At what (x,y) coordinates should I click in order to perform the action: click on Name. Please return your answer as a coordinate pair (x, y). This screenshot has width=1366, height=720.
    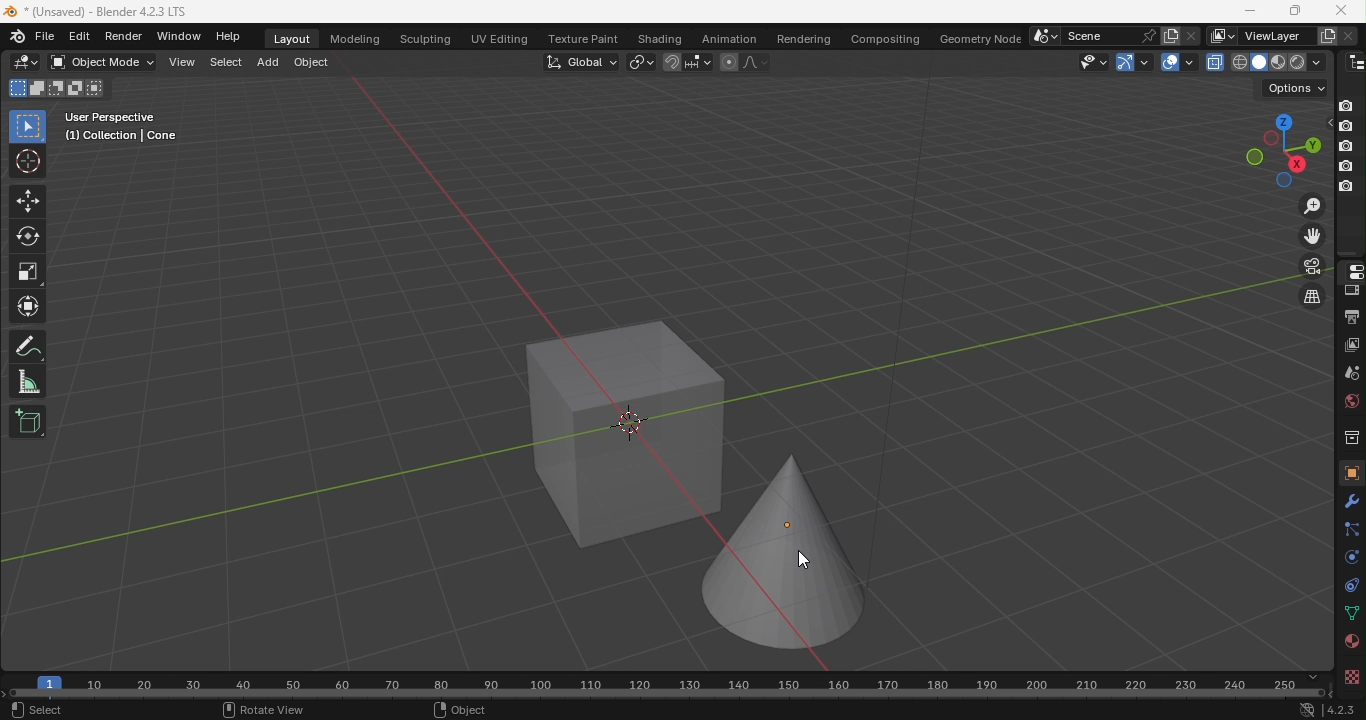
    Looking at the image, I should click on (1098, 35).